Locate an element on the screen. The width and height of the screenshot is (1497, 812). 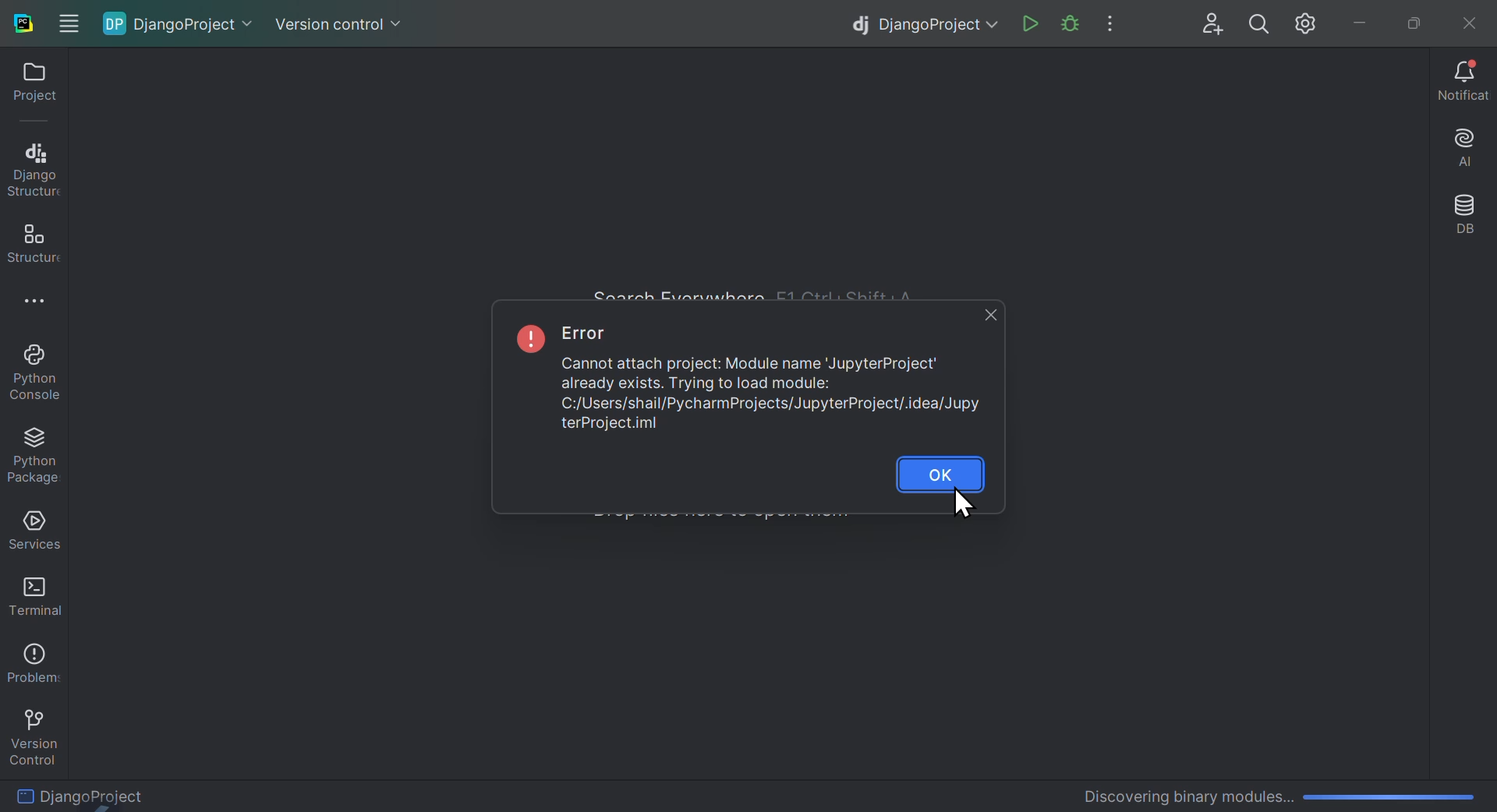
AI assistant is located at coordinates (1460, 150).